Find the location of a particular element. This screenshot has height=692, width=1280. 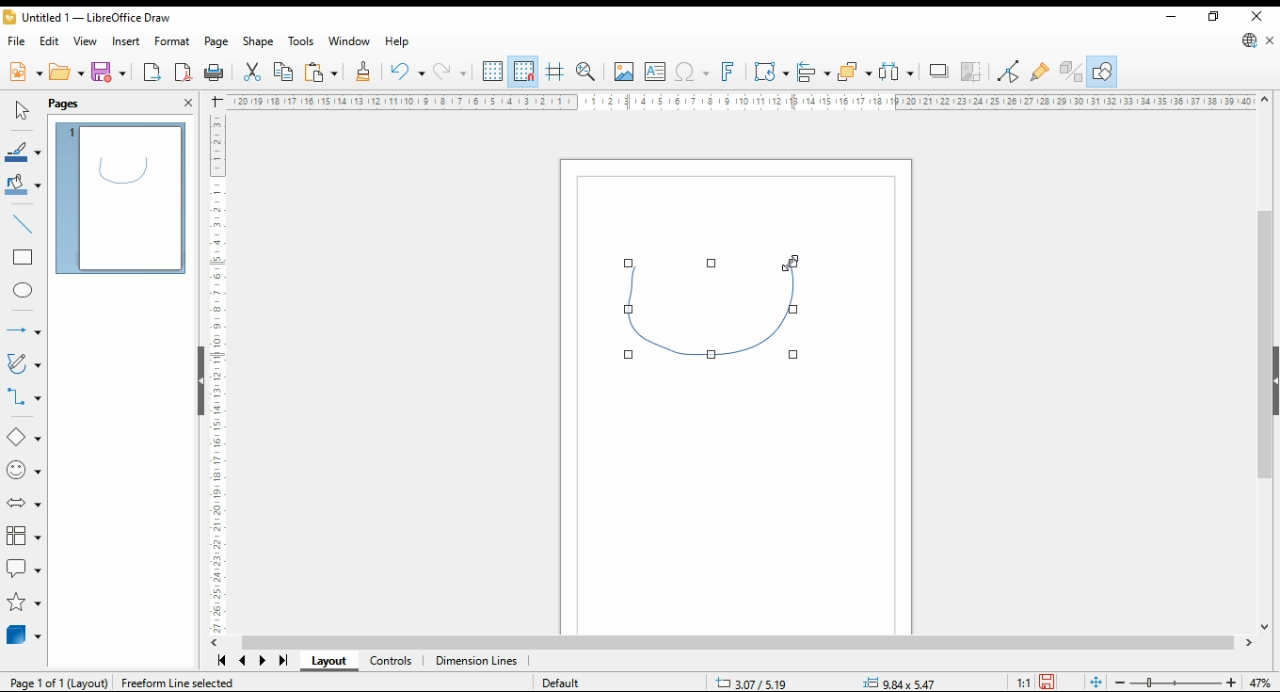

previous page is located at coordinates (244, 660).